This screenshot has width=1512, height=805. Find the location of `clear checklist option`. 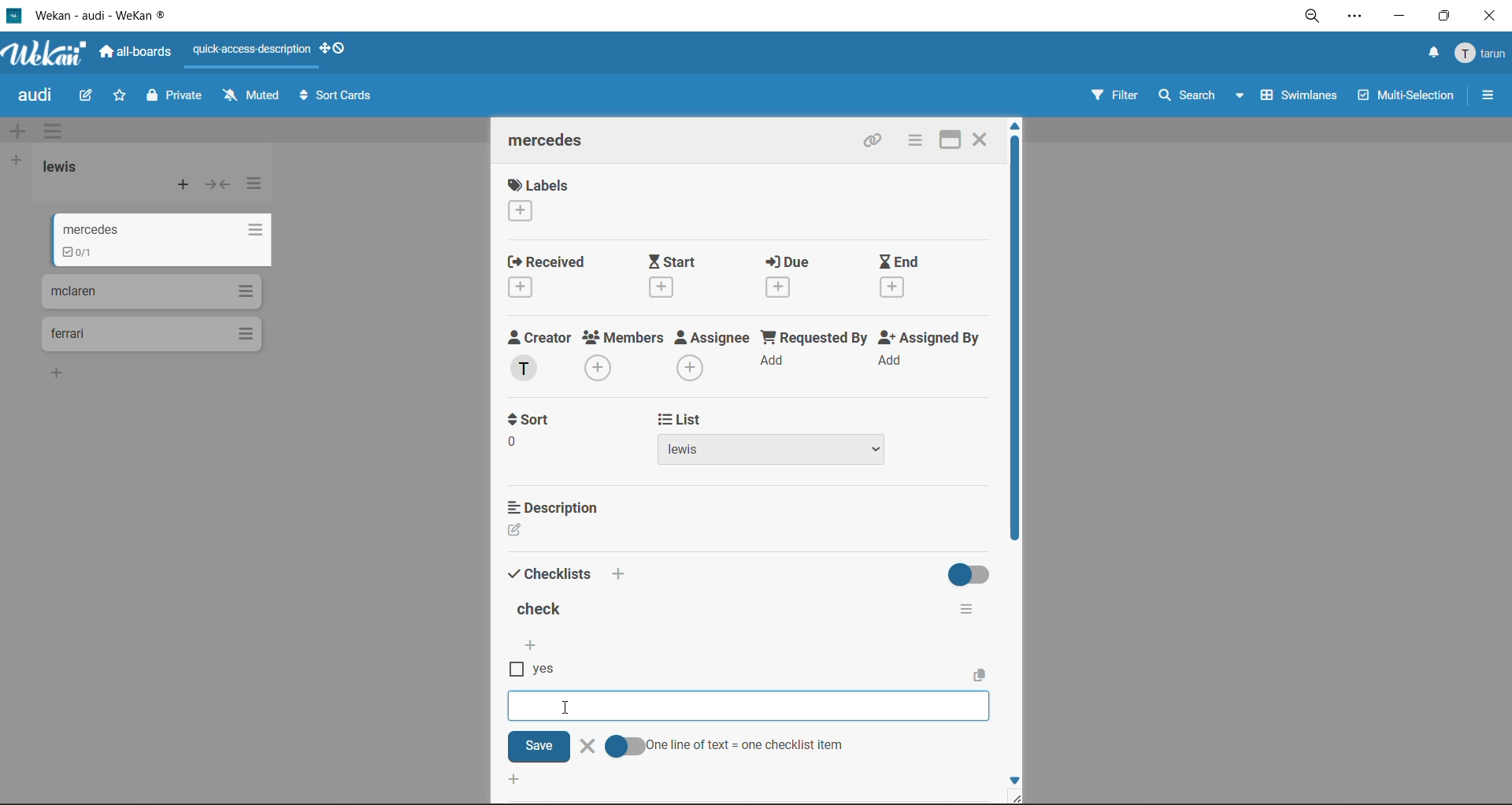

clear checklist option is located at coordinates (587, 747).